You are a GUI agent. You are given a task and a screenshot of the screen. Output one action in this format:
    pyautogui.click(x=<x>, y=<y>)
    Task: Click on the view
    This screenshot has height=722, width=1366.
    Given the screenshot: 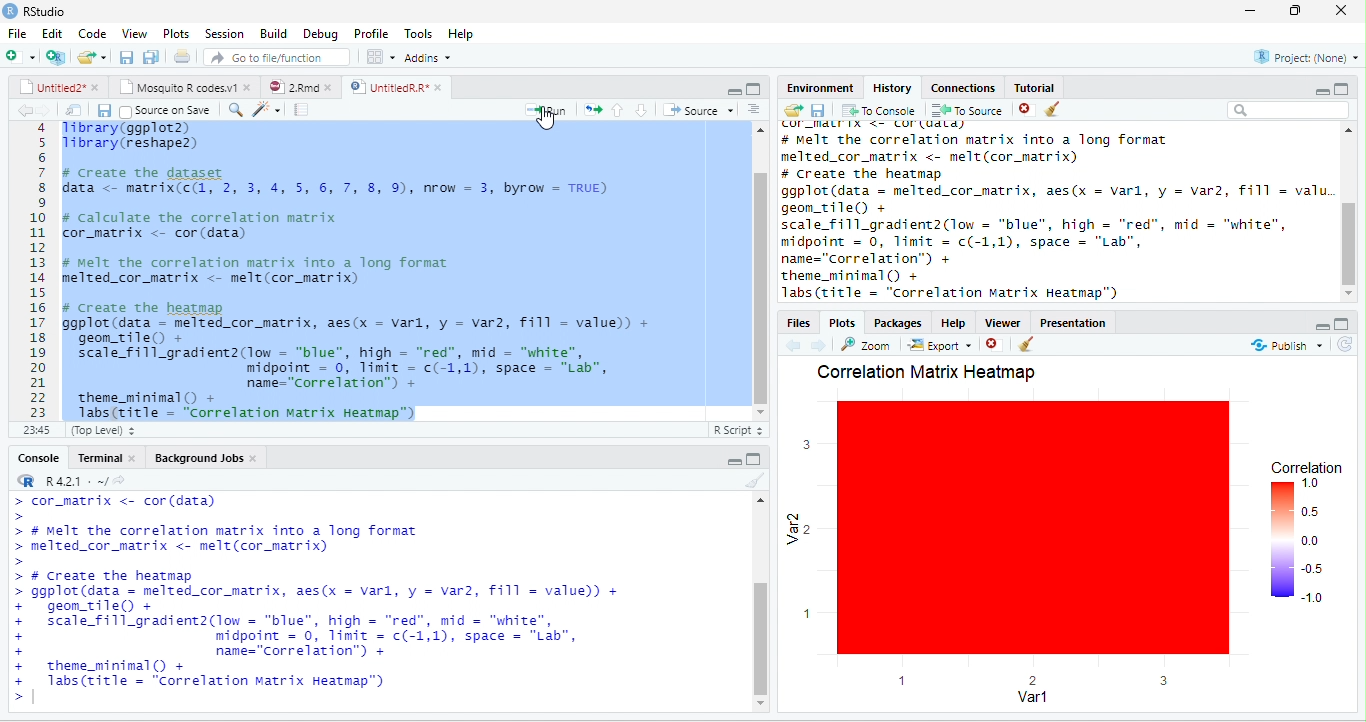 What is the action you would take?
    pyautogui.click(x=136, y=33)
    